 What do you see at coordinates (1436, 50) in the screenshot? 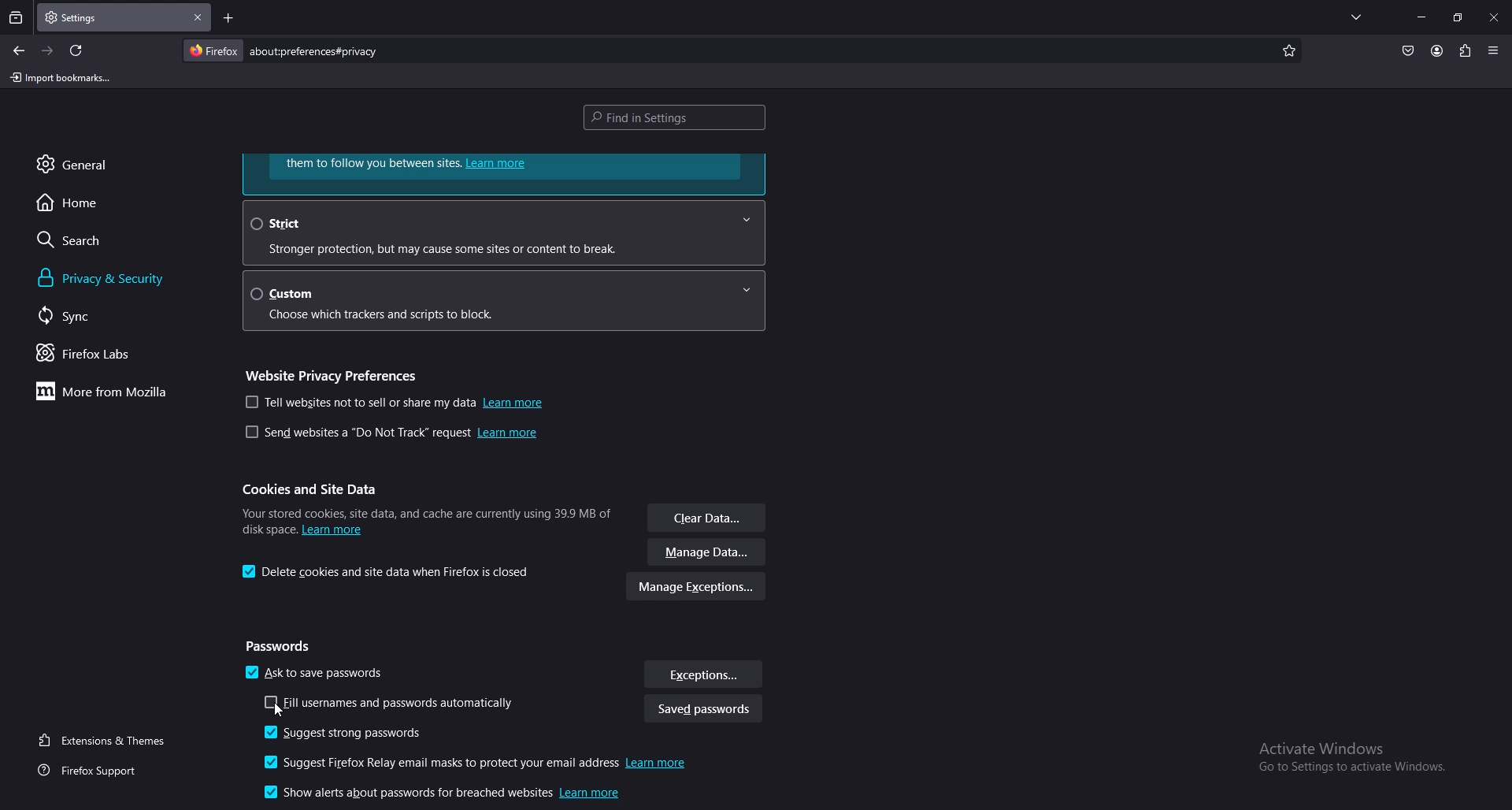
I see `account` at bounding box center [1436, 50].